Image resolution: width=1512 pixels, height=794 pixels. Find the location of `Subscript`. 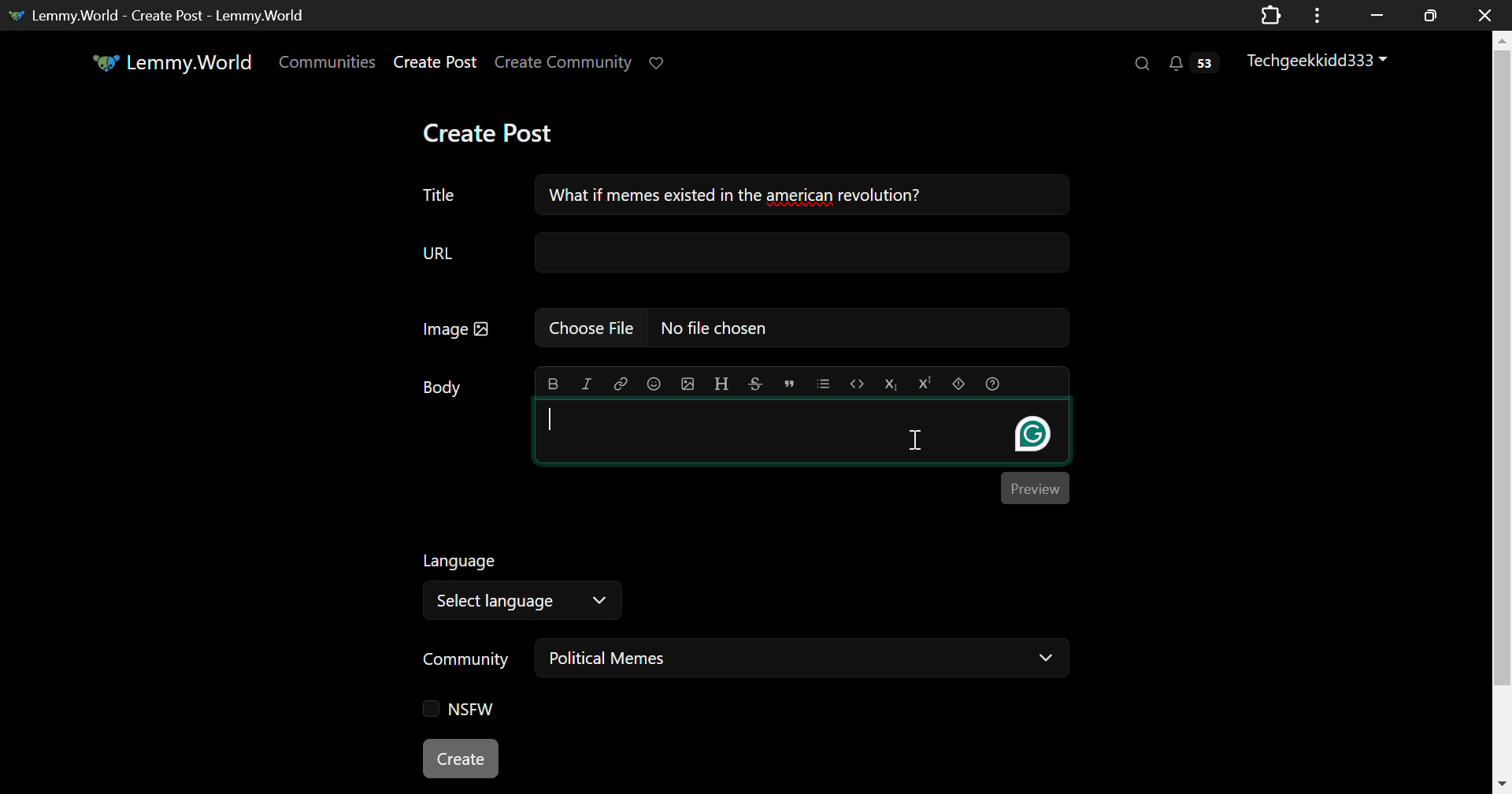

Subscript is located at coordinates (892, 384).